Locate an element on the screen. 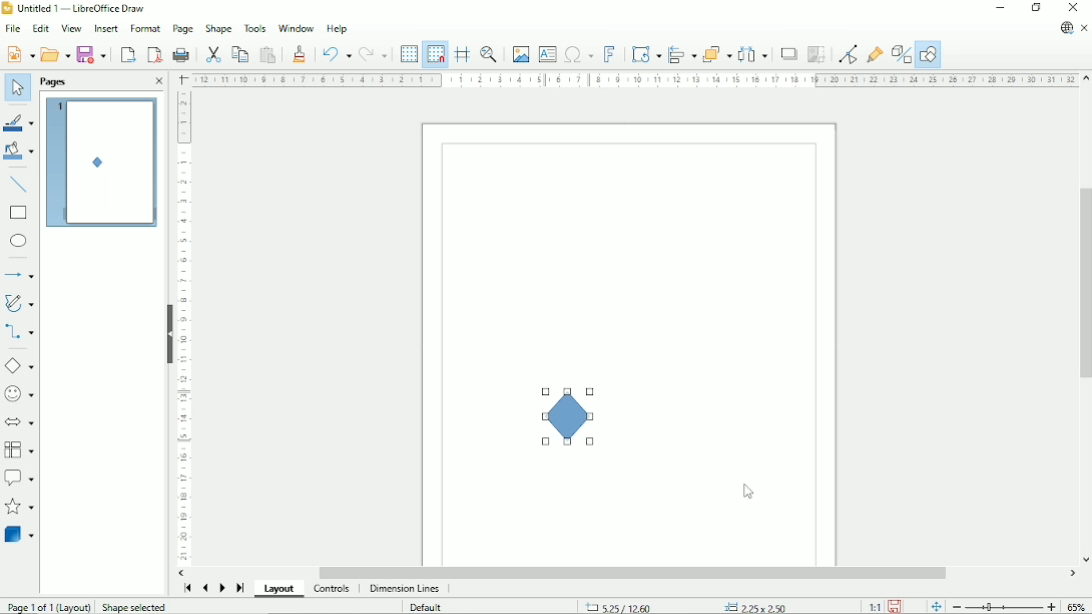 The image size is (1092, 614). Shape centered is located at coordinates (565, 417).